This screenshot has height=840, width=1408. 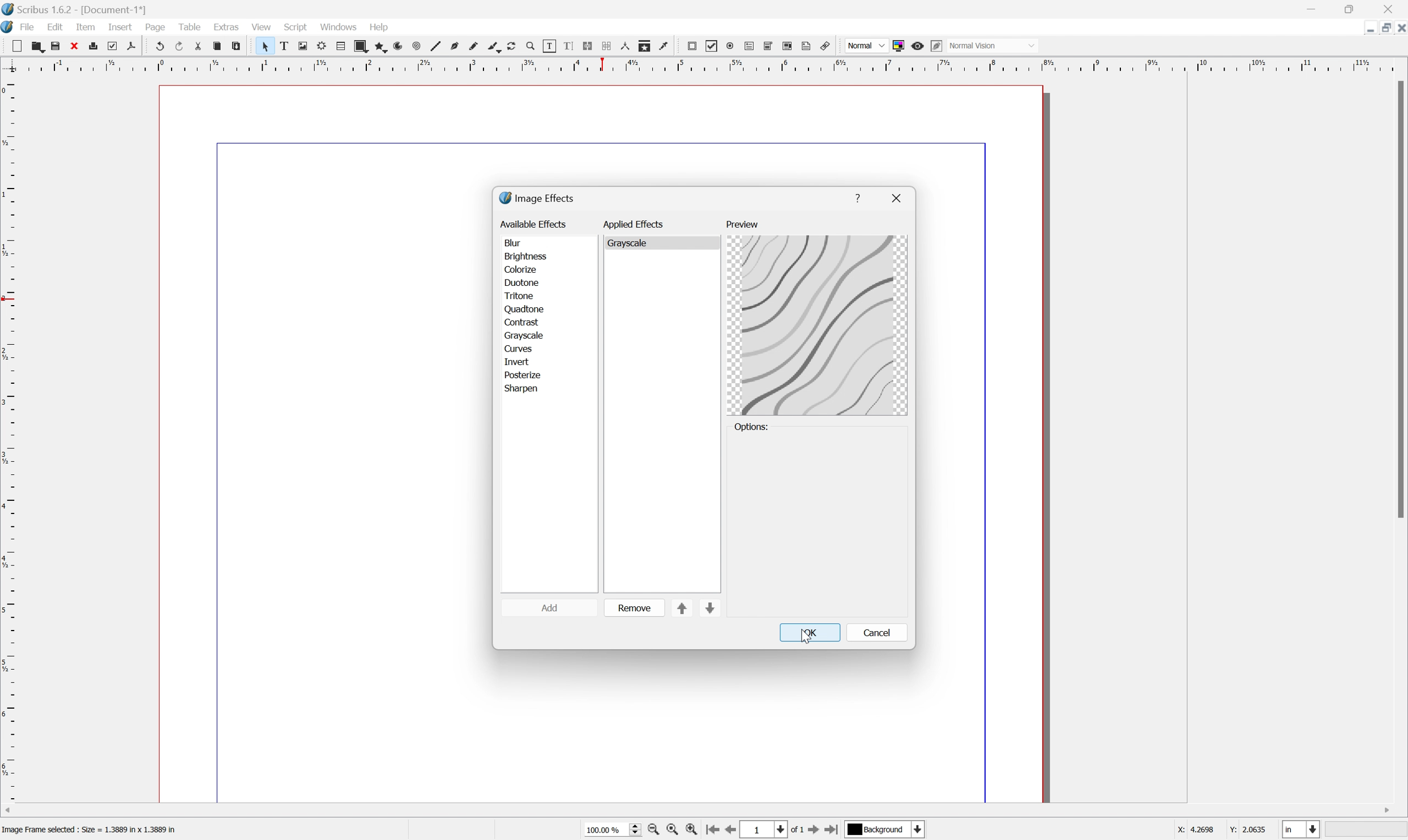 I want to click on Scale, so click(x=9, y=439).